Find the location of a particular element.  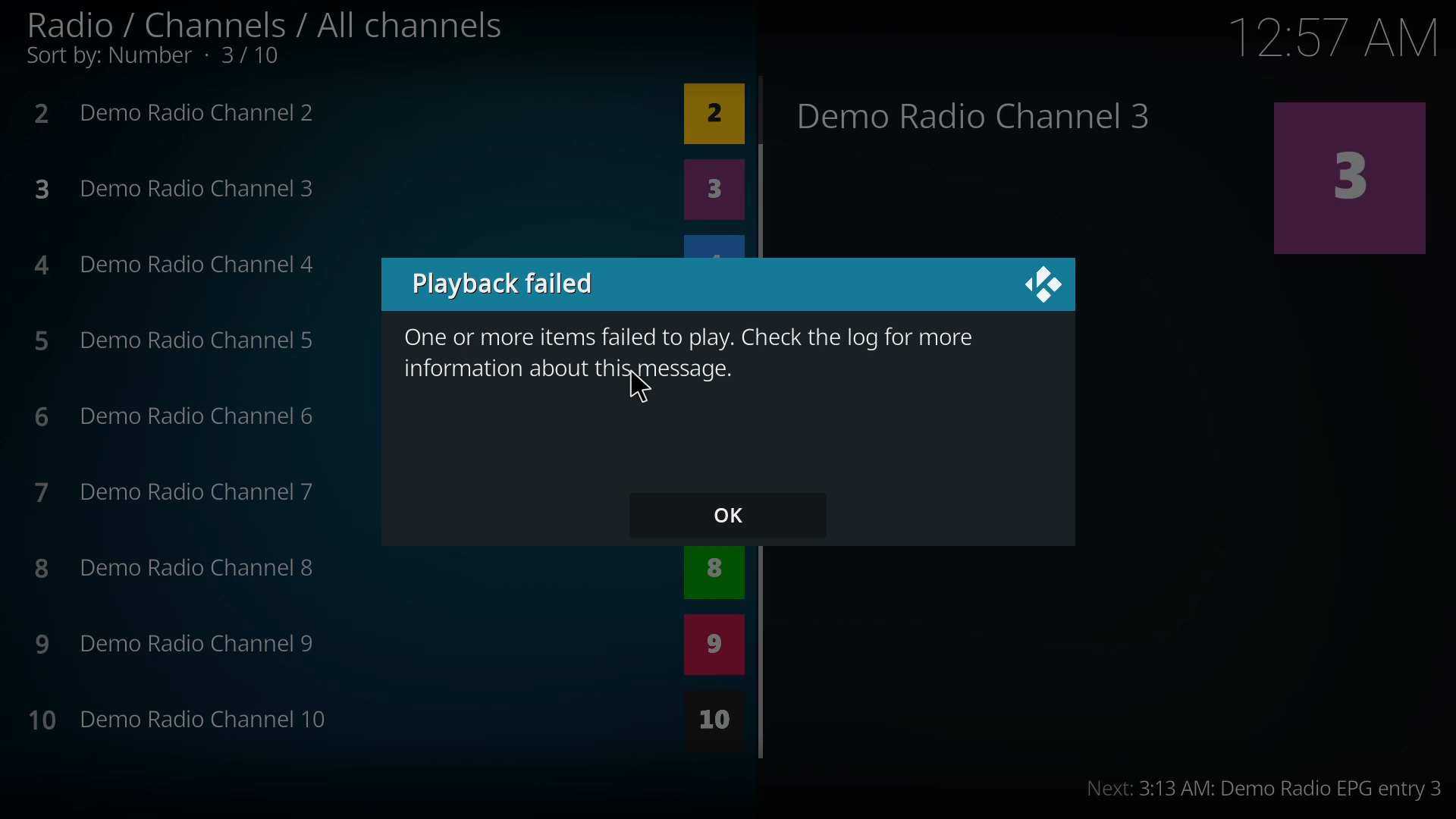

Sort by: Number - 3/10 is located at coordinates (151, 60).